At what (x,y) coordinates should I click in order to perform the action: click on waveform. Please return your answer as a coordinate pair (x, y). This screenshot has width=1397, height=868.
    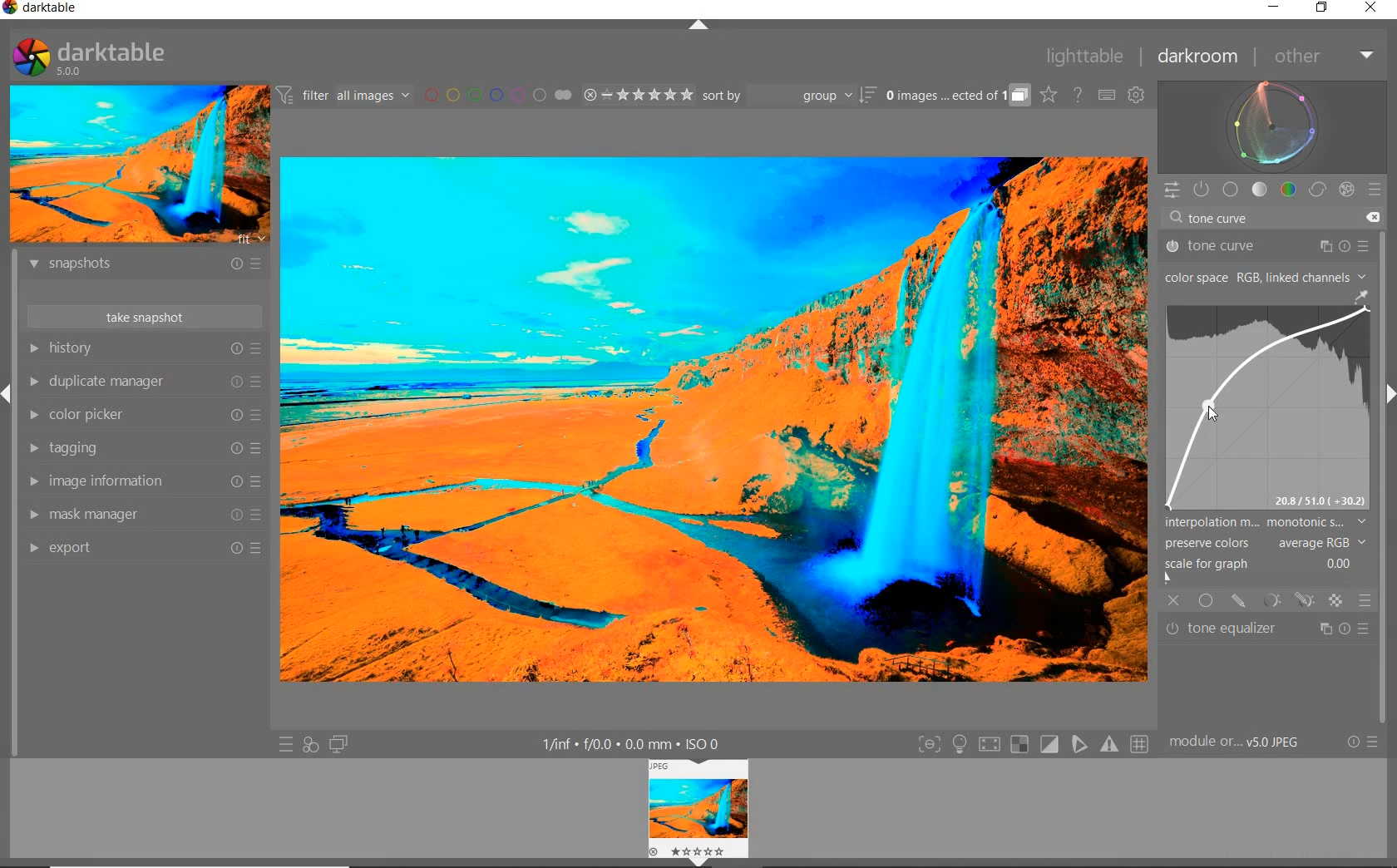
    Looking at the image, I should click on (1273, 126).